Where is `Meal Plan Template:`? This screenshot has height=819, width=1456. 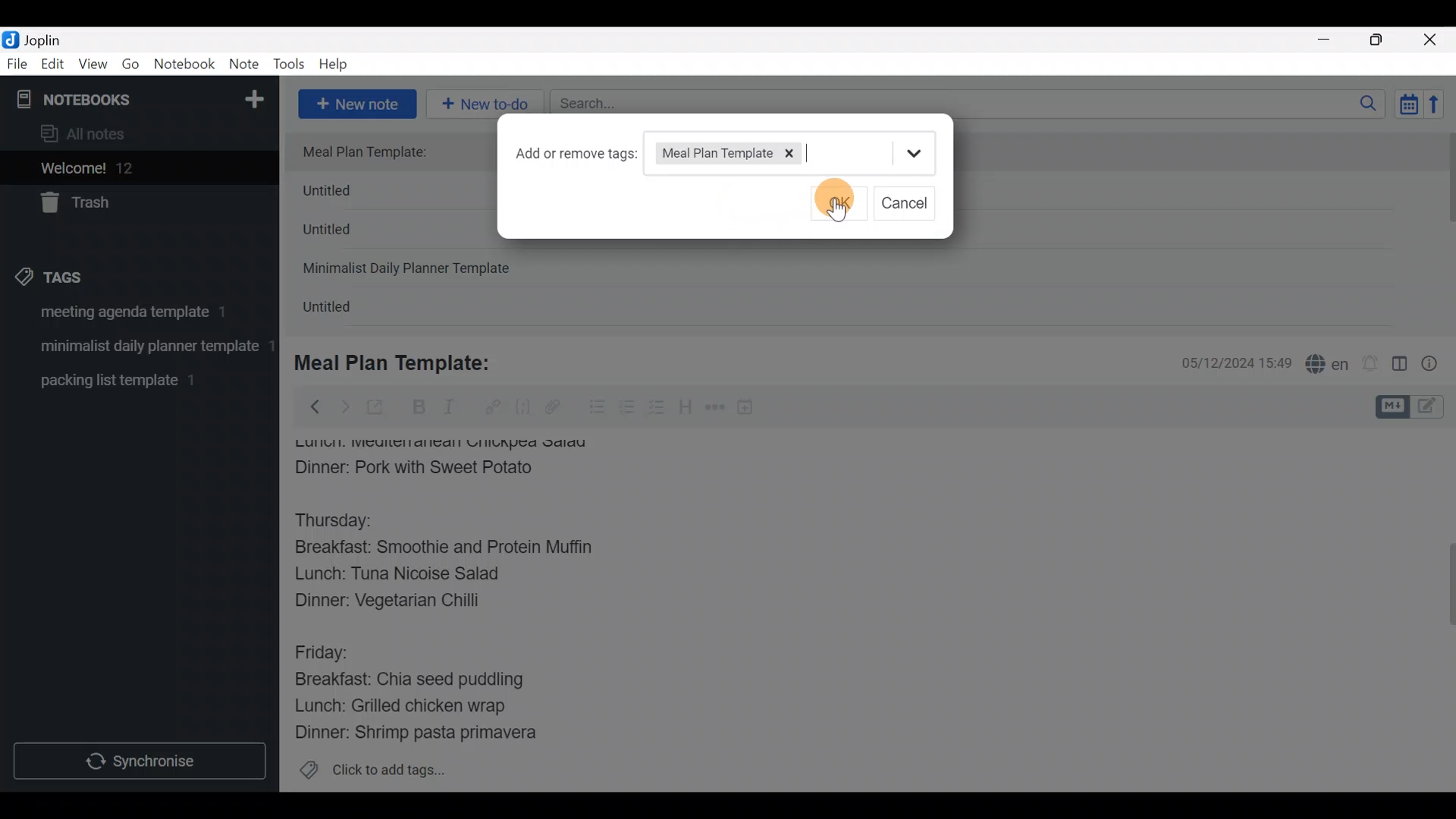
Meal Plan Template: is located at coordinates (374, 152).